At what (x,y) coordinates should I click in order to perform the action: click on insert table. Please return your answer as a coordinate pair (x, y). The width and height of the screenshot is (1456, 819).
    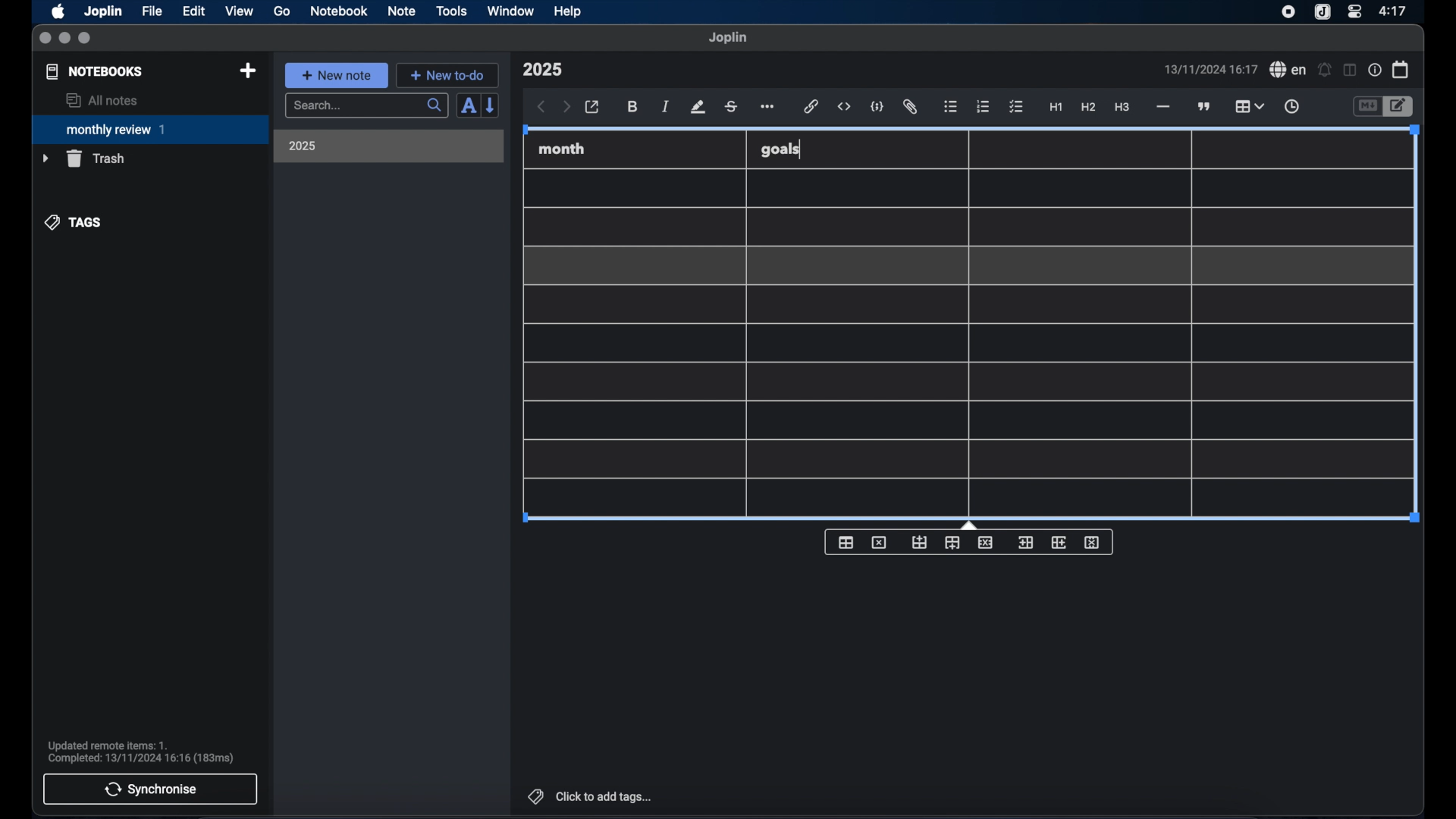
    Looking at the image, I should click on (846, 542).